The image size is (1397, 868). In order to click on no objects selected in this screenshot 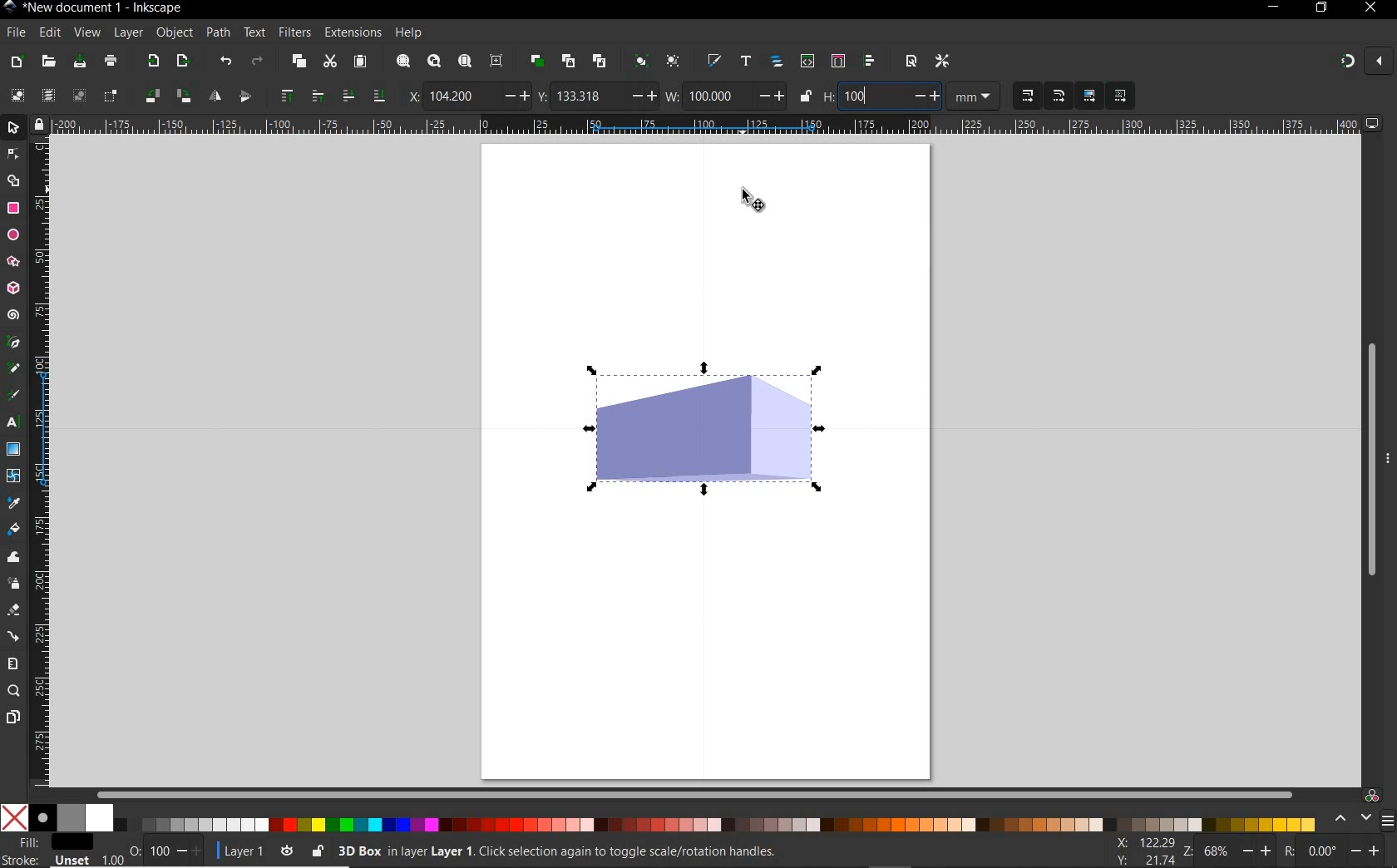, I will do `click(644, 849)`.